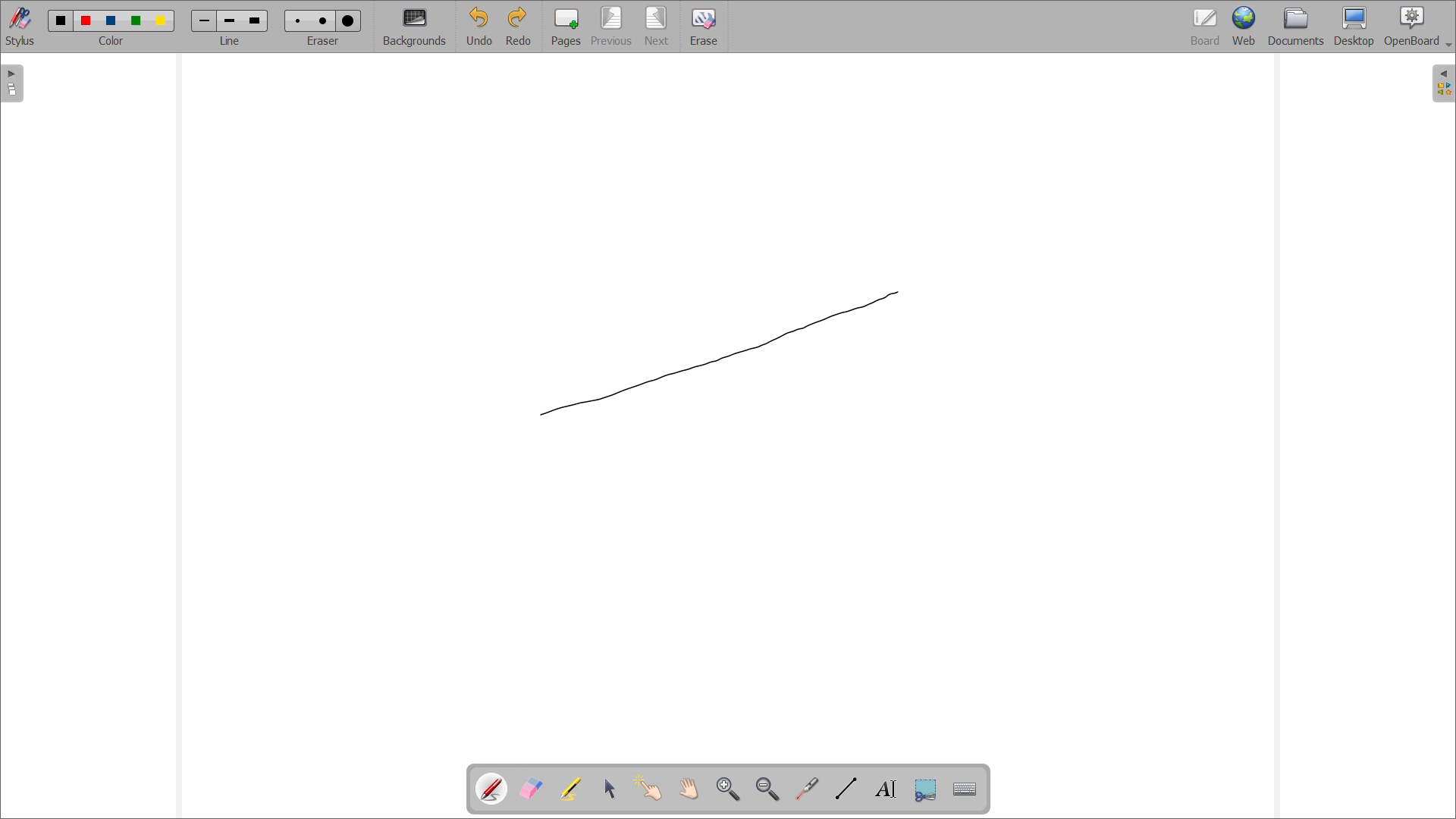  I want to click on previous page, so click(612, 26).